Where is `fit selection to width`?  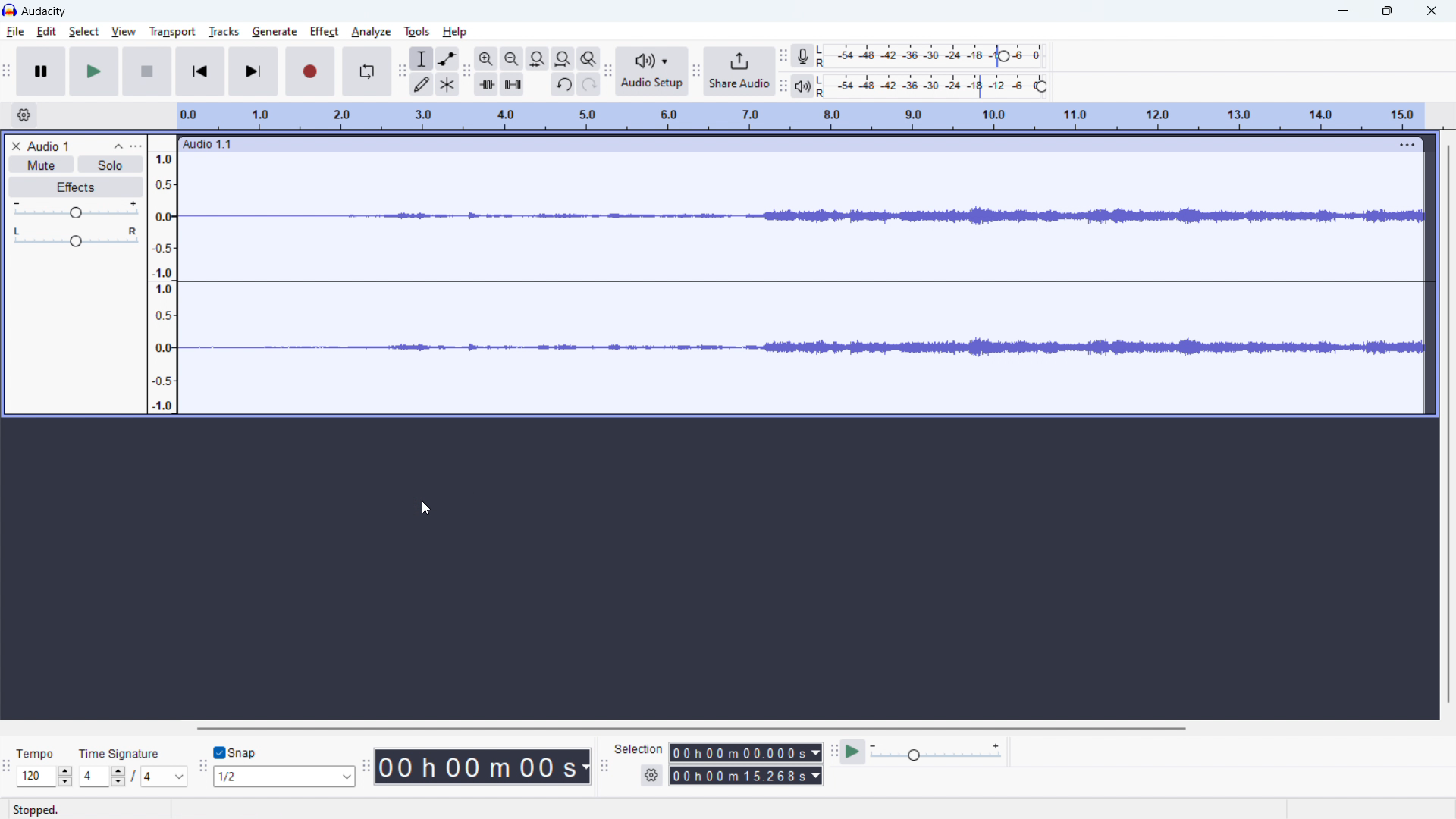
fit selection to width is located at coordinates (538, 58).